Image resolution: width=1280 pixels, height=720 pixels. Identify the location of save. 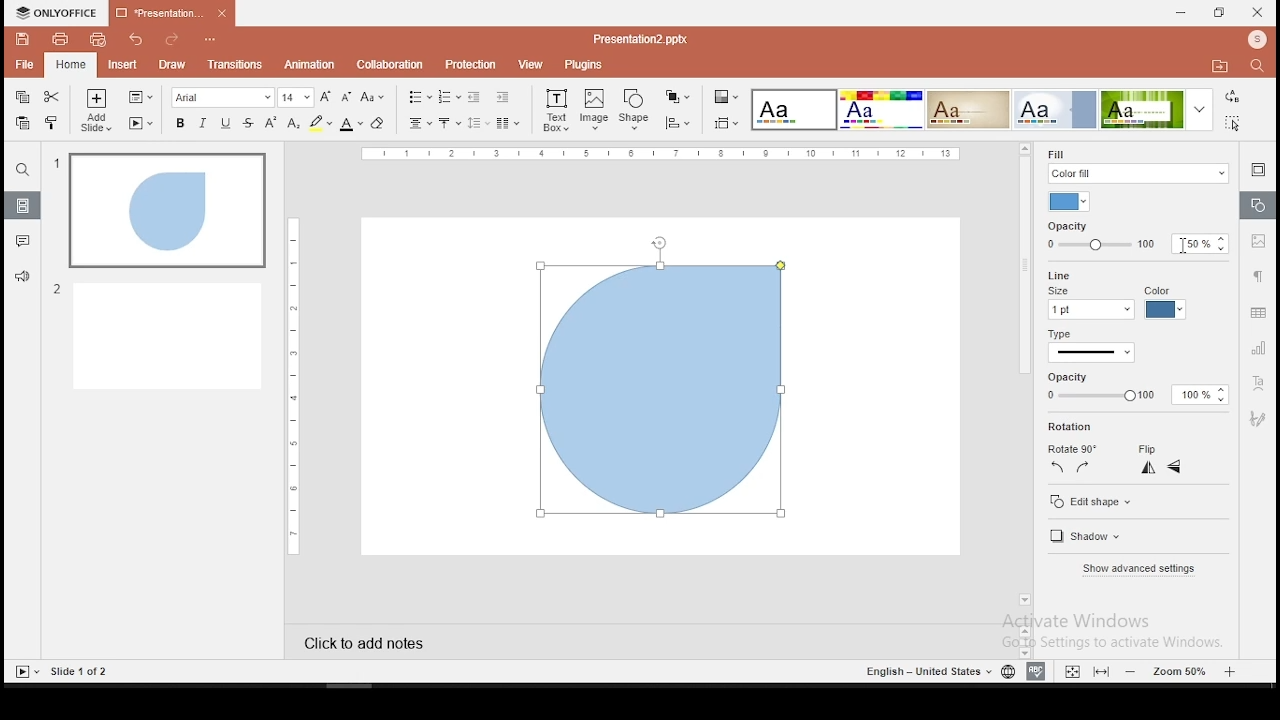
(22, 39).